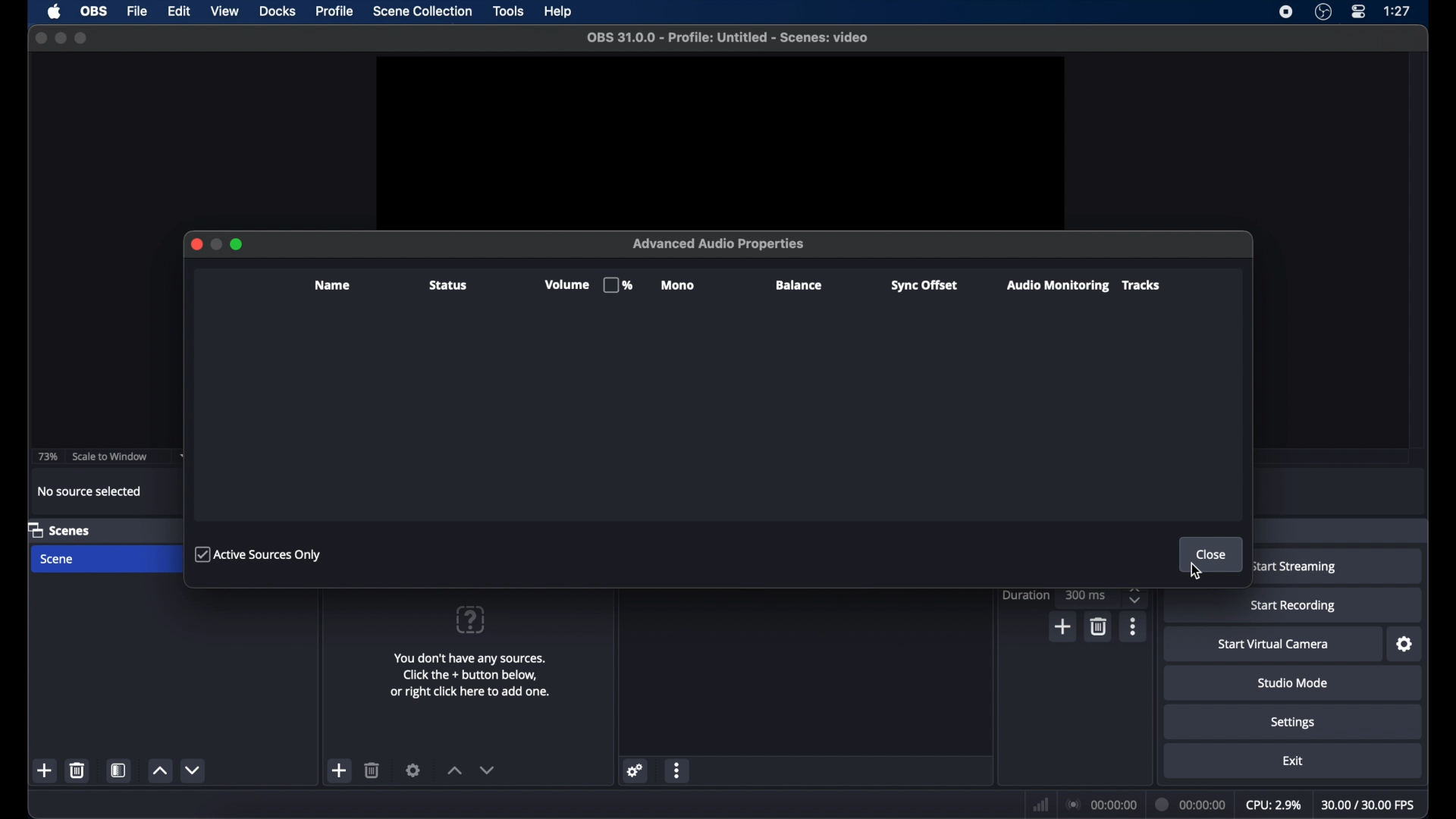 Image resolution: width=1456 pixels, height=819 pixels. Describe the element at coordinates (78, 770) in the screenshot. I see `delete` at that location.